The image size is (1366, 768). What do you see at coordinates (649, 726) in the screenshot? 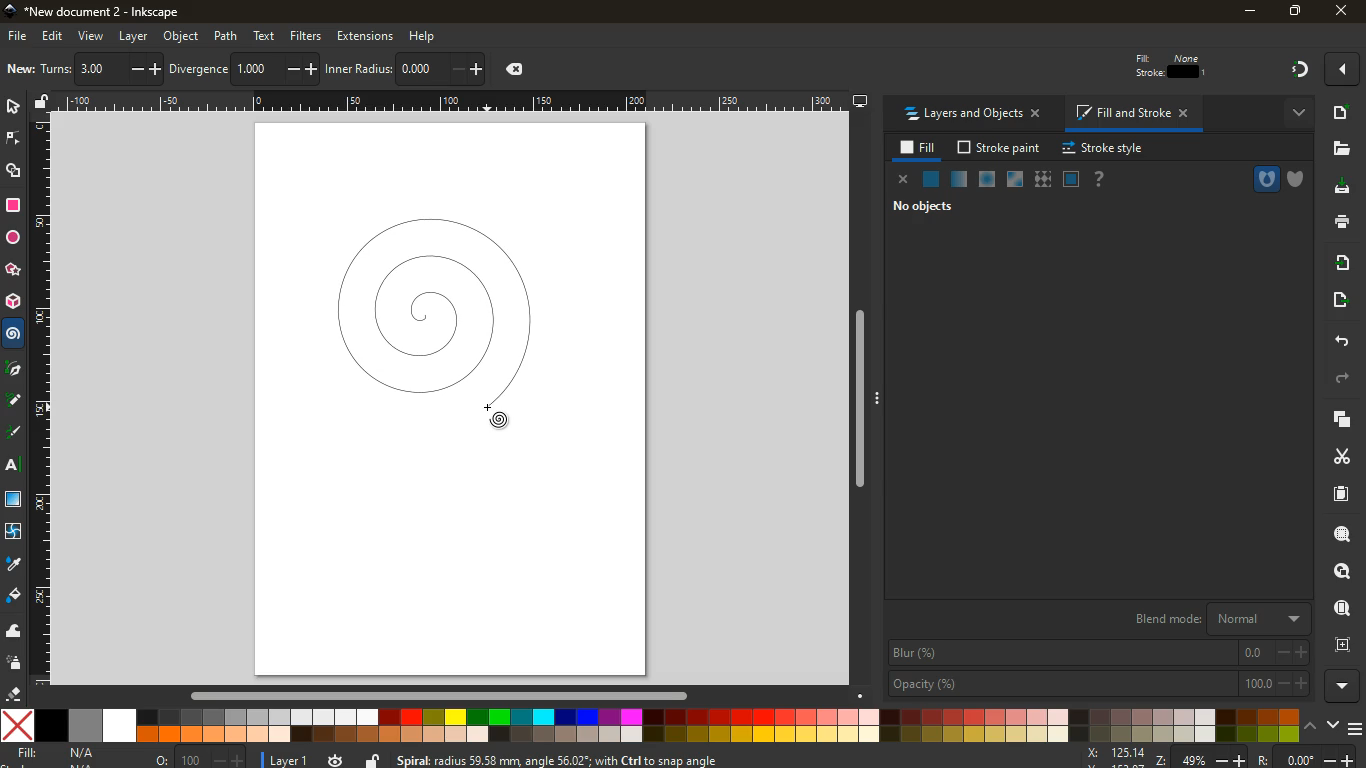
I see `color` at bounding box center [649, 726].